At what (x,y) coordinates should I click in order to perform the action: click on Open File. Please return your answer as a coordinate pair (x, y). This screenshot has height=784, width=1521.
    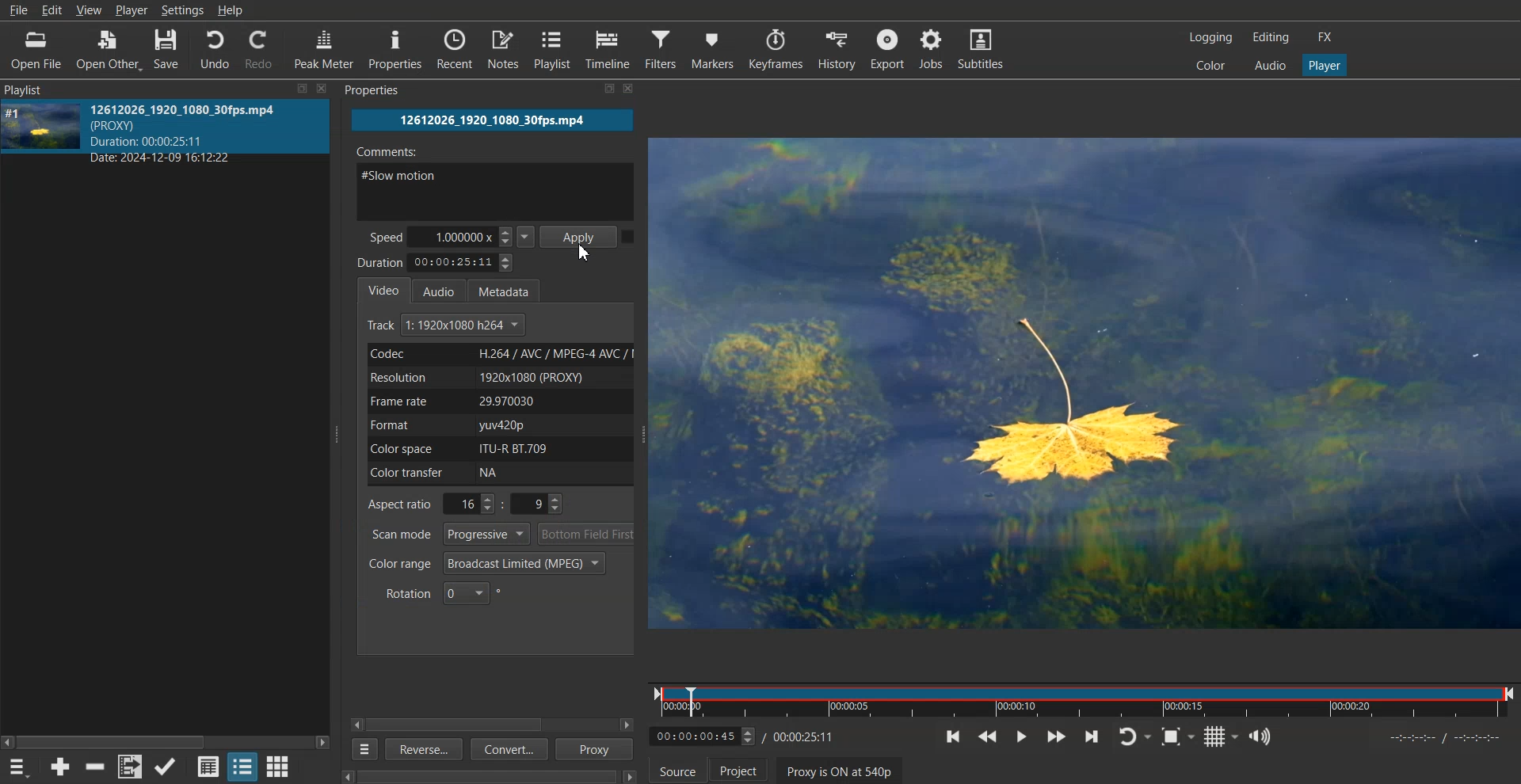
    Looking at the image, I should click on (36, 49).